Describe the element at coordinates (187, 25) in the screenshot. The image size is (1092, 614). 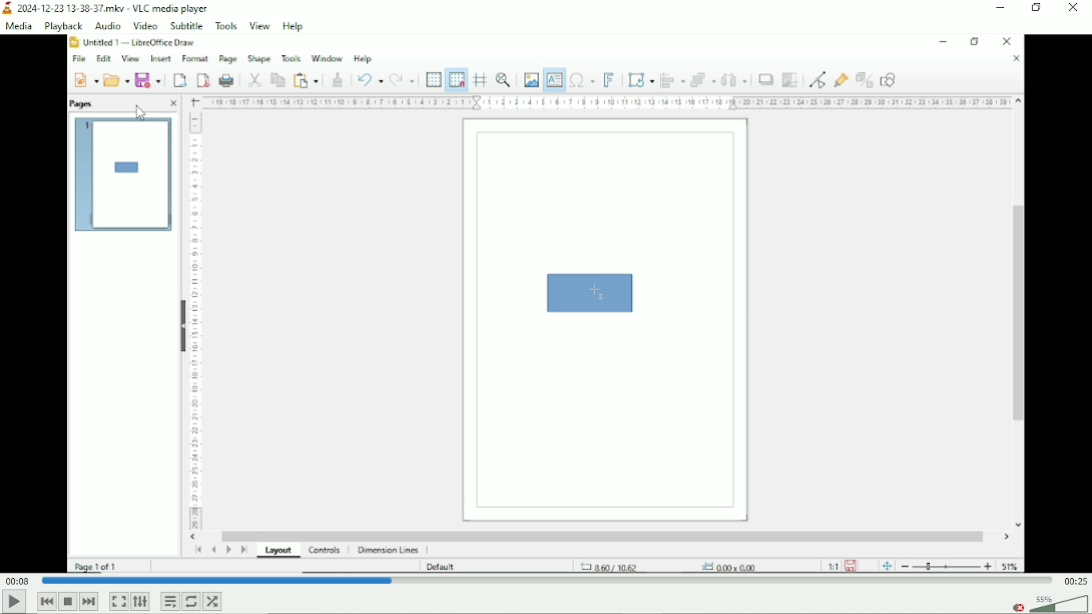
I see `Subtitle` at that location.